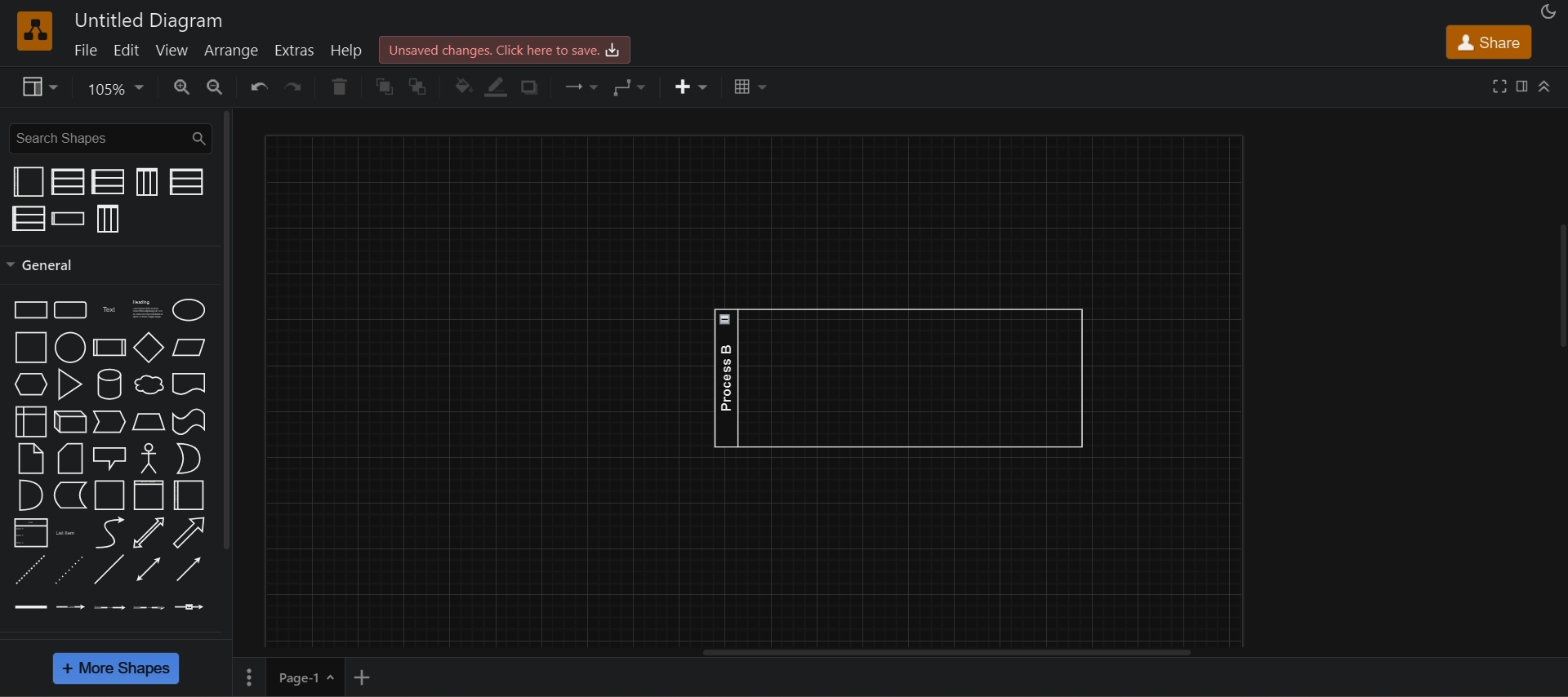  What do you see at coordinates (501, 88) in the screenshot?
I see `line color` at bounding box center [501, 88].